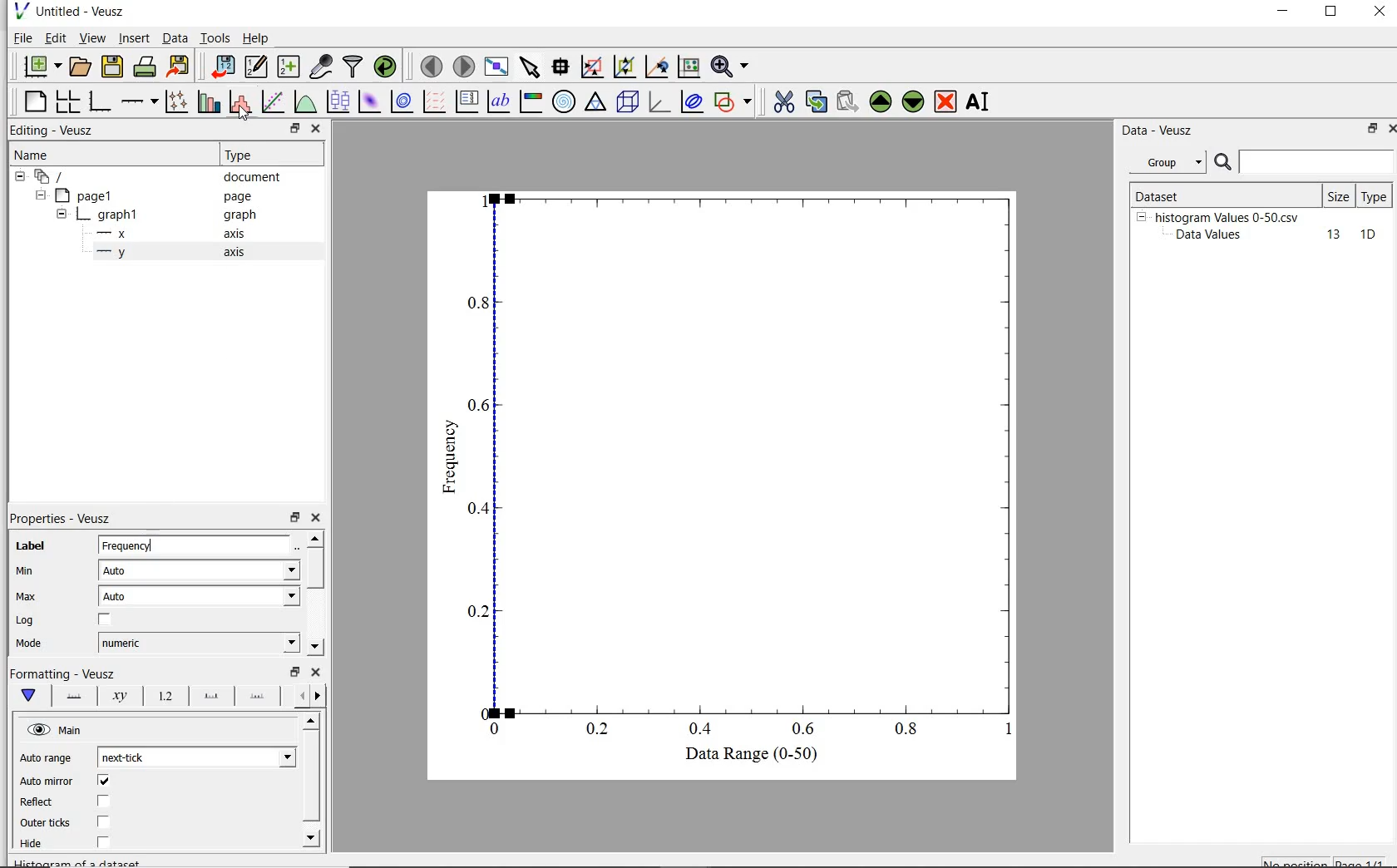  I want to click on open, so click(82, 65).